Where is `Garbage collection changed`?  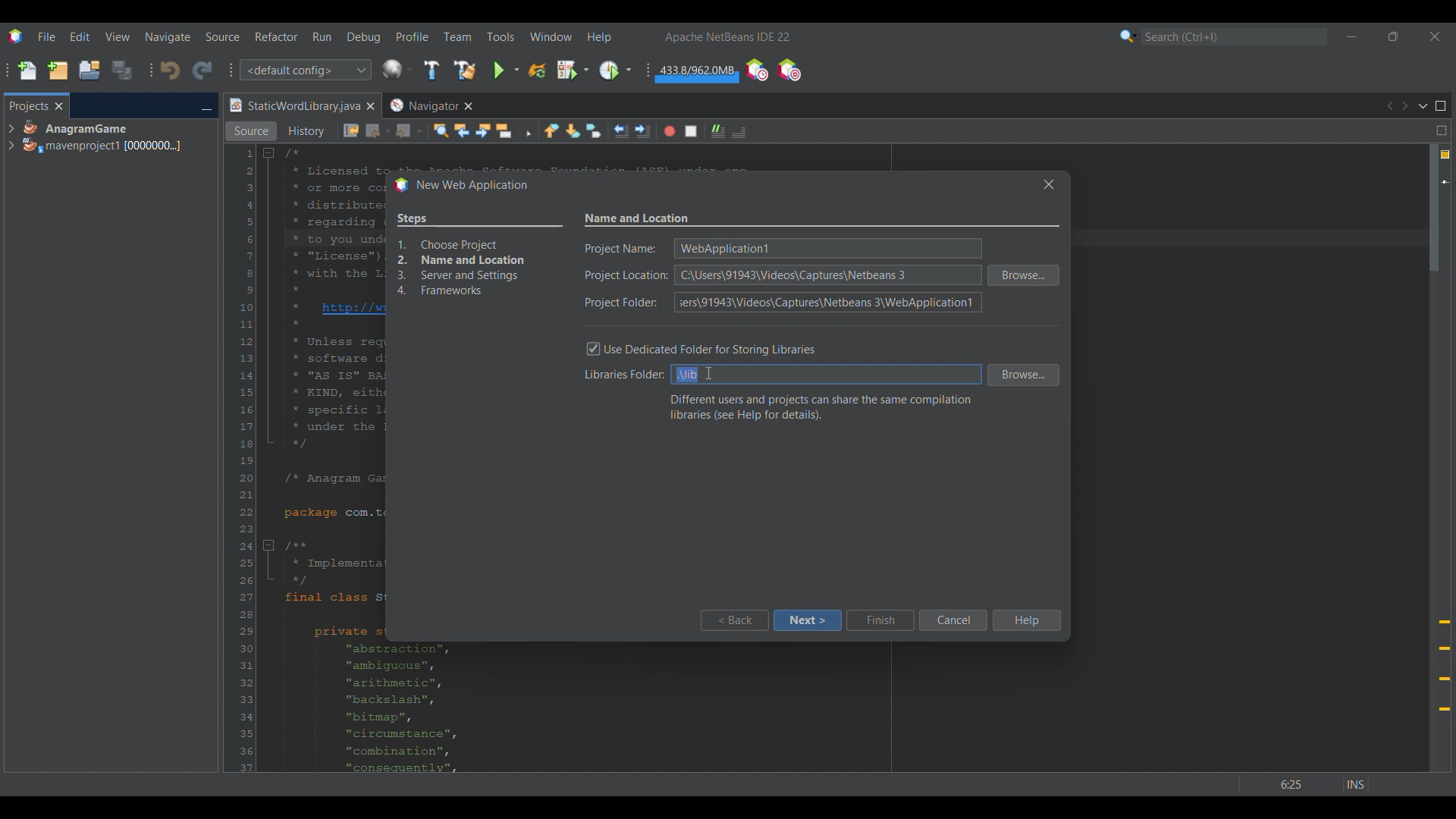 Garbage collection changed is located at coordinates (697, 73).